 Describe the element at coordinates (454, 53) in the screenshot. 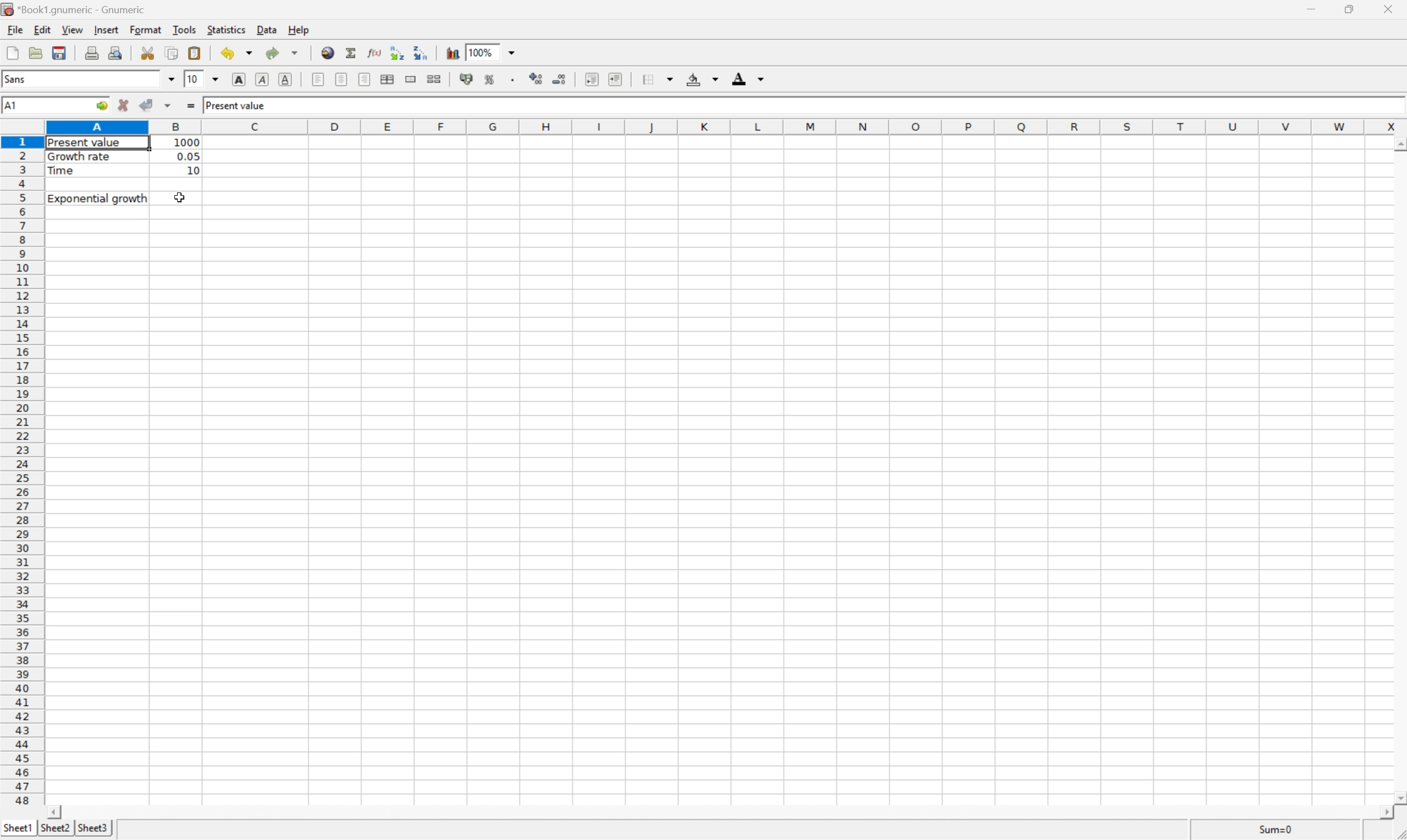

I see `Insert chart` at that location.